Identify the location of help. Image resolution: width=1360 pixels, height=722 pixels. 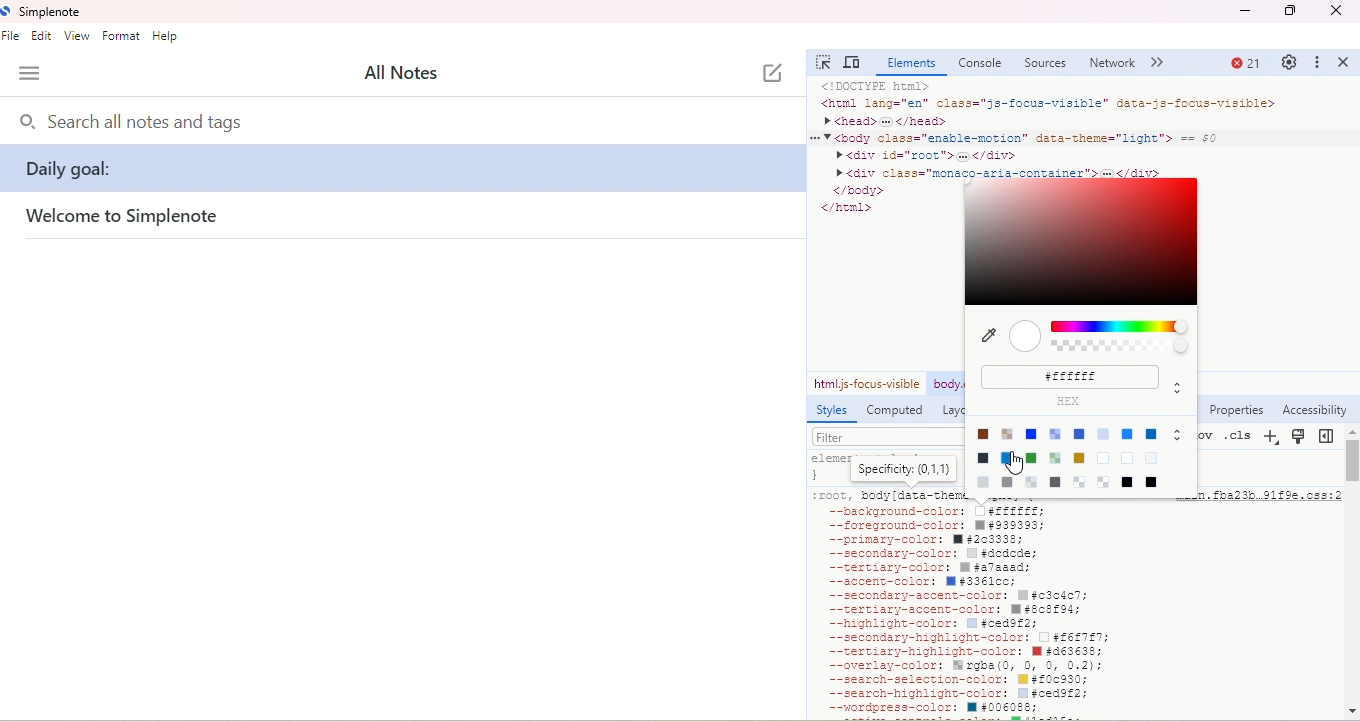
(167, 36).